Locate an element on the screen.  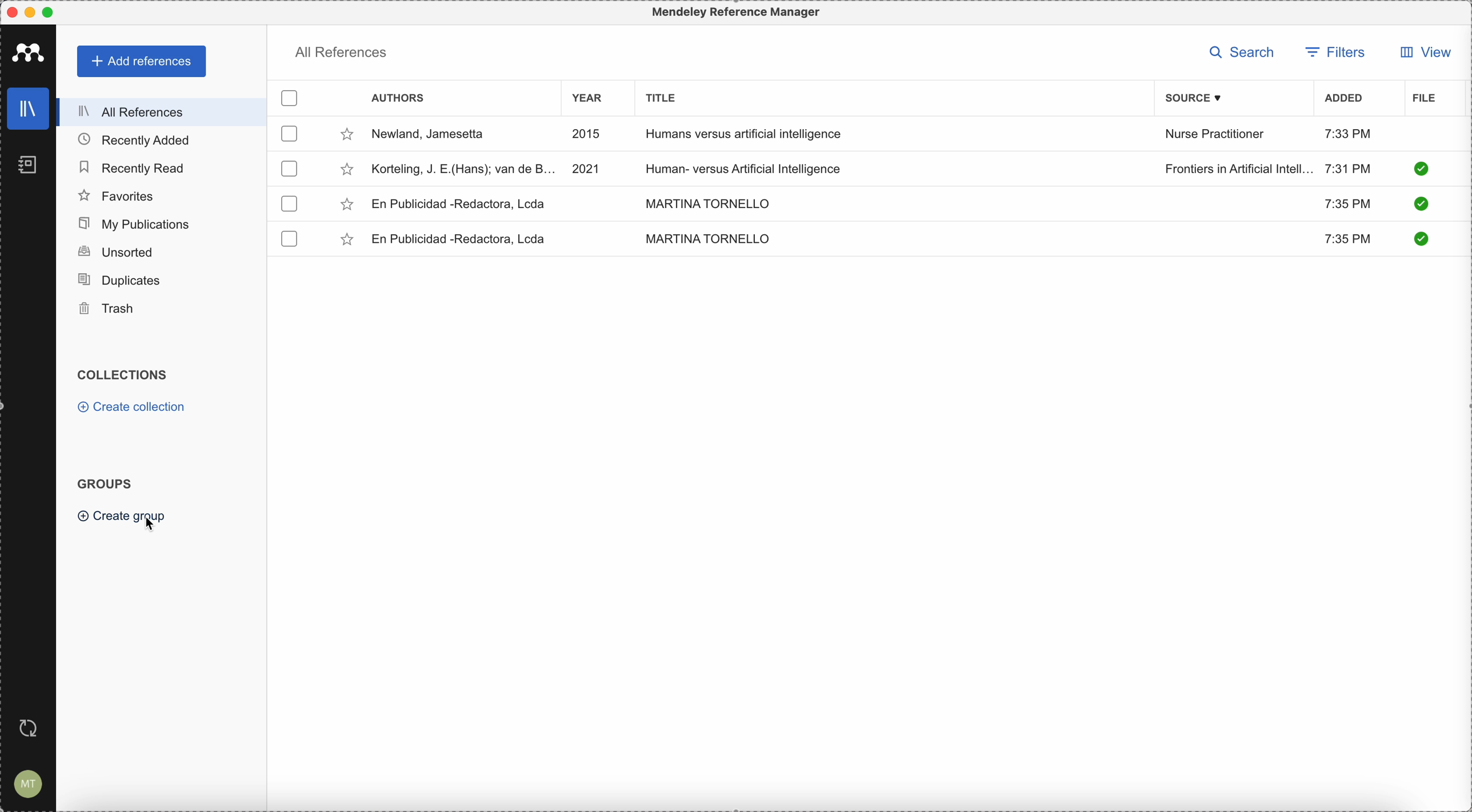
last sync is located at coordinates (26, 729).